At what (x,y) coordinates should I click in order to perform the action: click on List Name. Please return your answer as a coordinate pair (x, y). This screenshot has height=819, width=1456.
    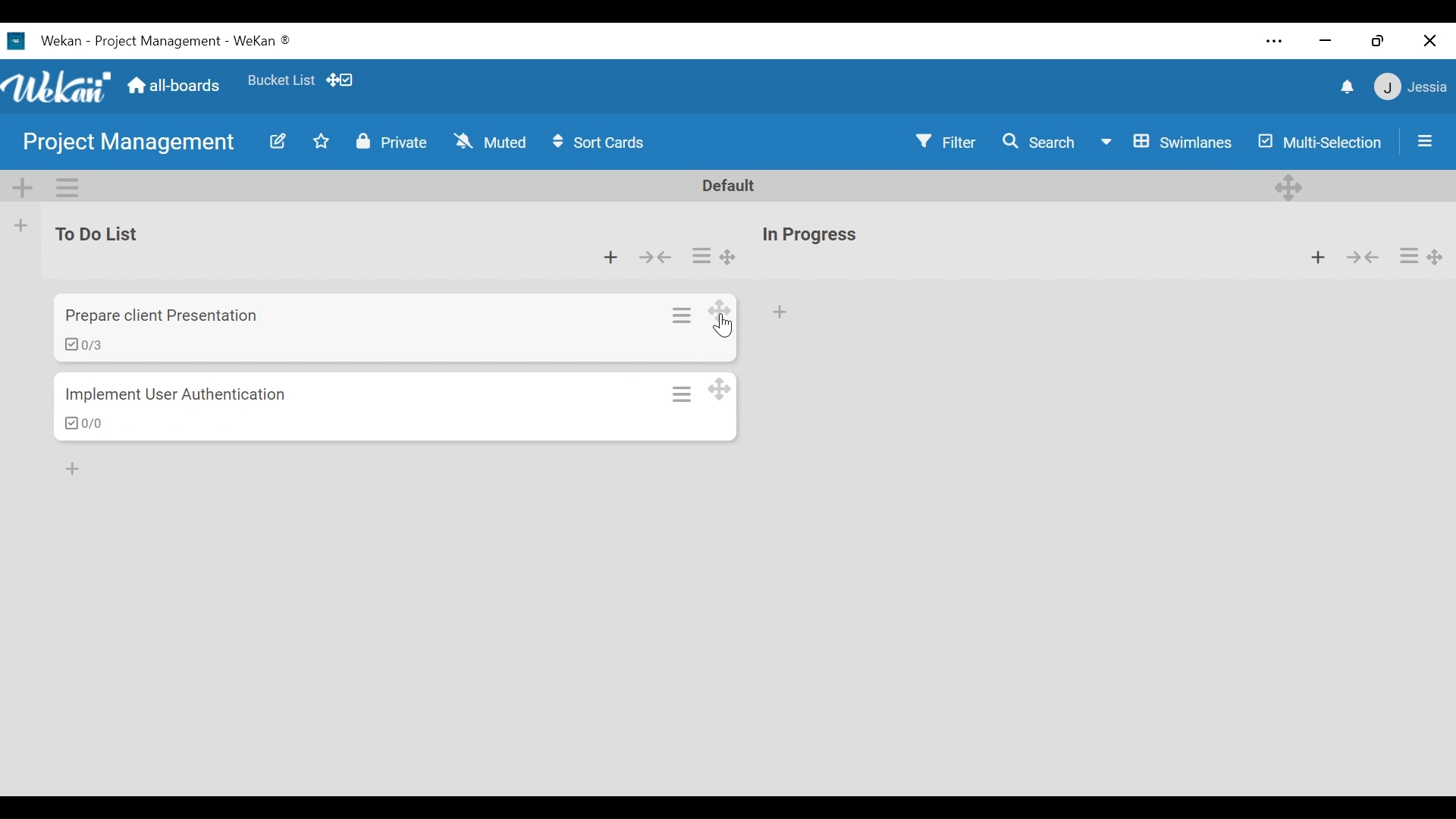
    Looking at the image, I should click on (811, 235).